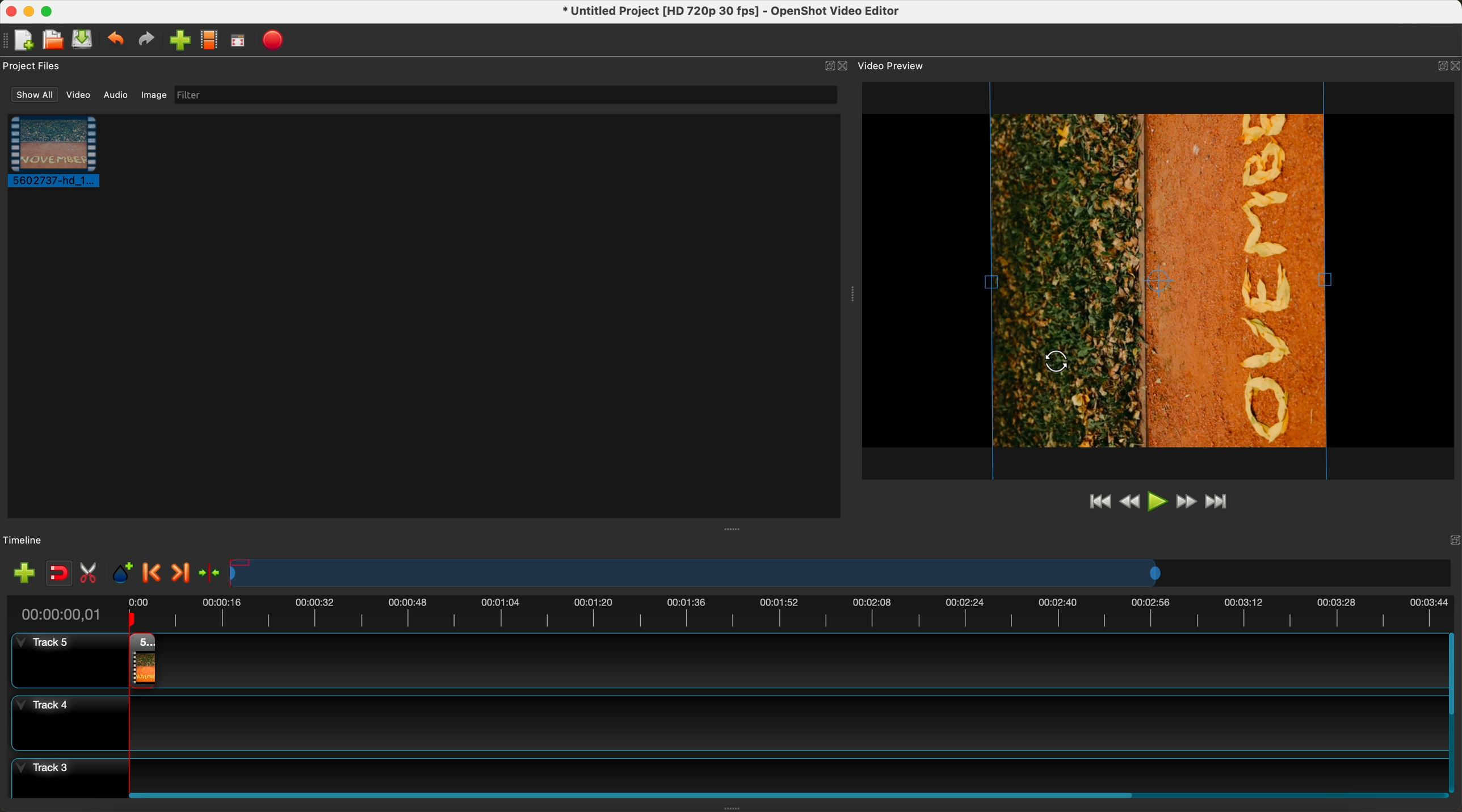 The width and height of the screenshot is (1462, 812). I want to click on , so click(1057, 363).